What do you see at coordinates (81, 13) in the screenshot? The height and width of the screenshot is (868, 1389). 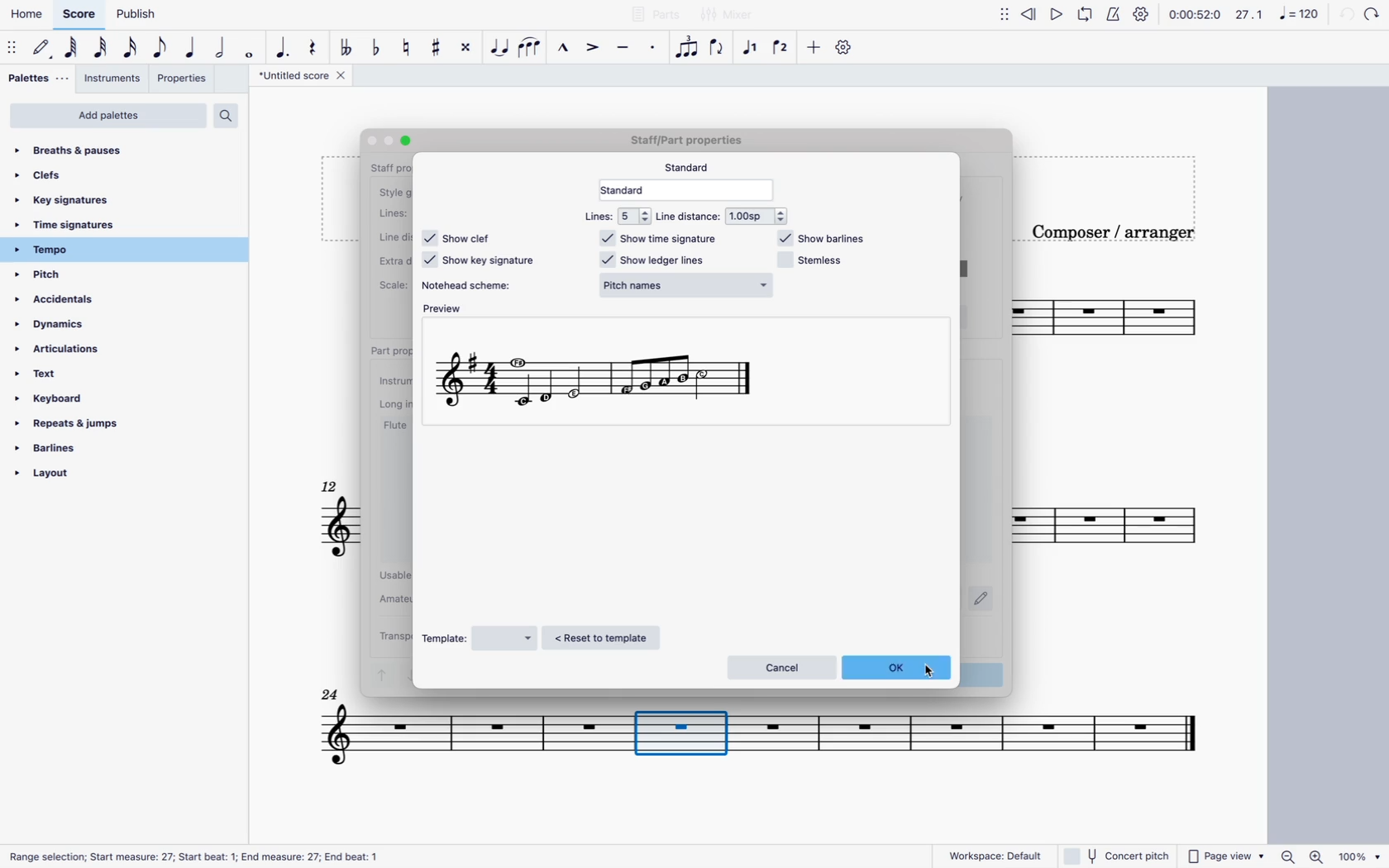 I see `score` at bounding box center [81, 13].